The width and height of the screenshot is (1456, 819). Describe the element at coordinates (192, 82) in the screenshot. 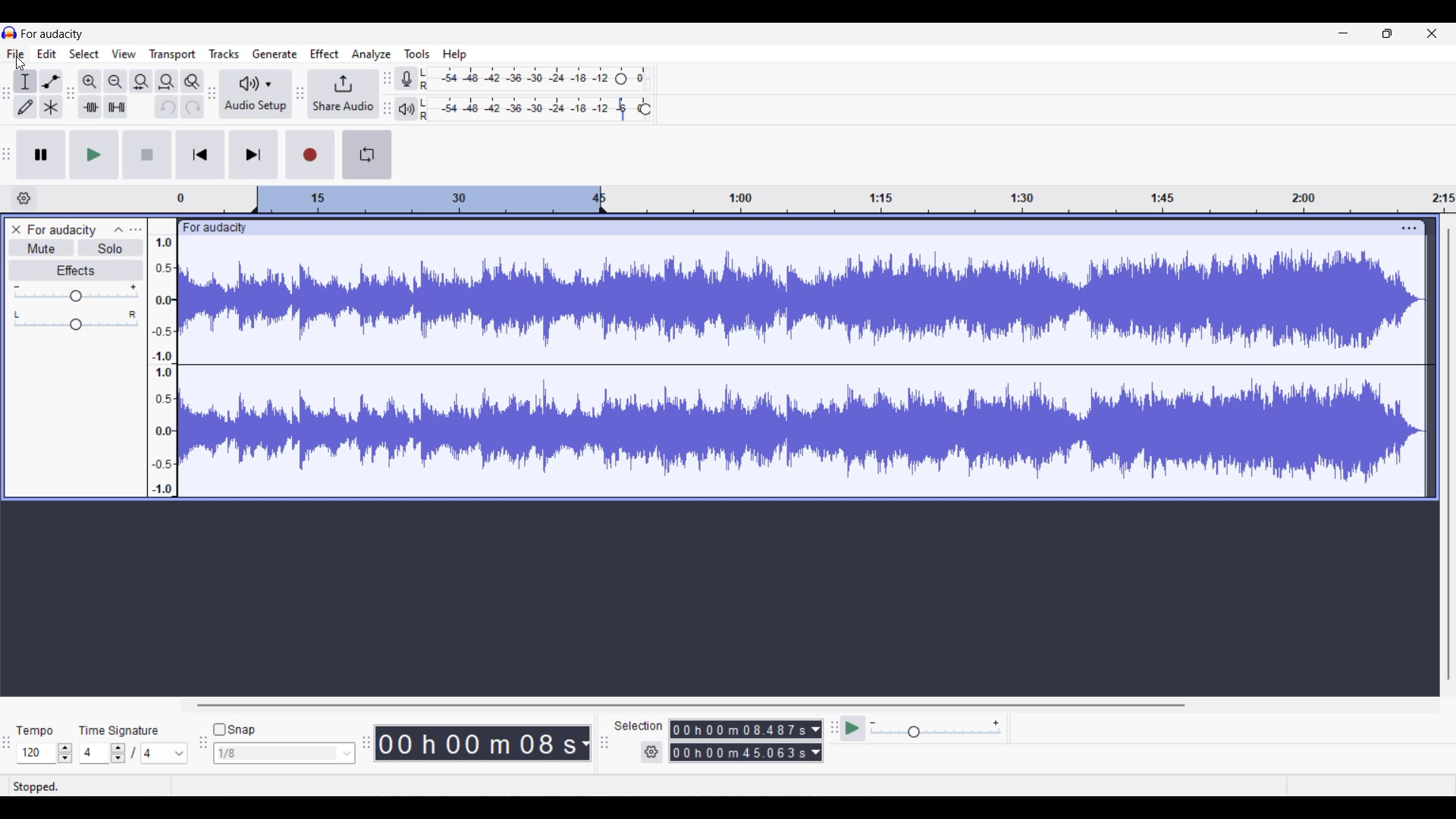

I see `Zoom toggle` at that location.